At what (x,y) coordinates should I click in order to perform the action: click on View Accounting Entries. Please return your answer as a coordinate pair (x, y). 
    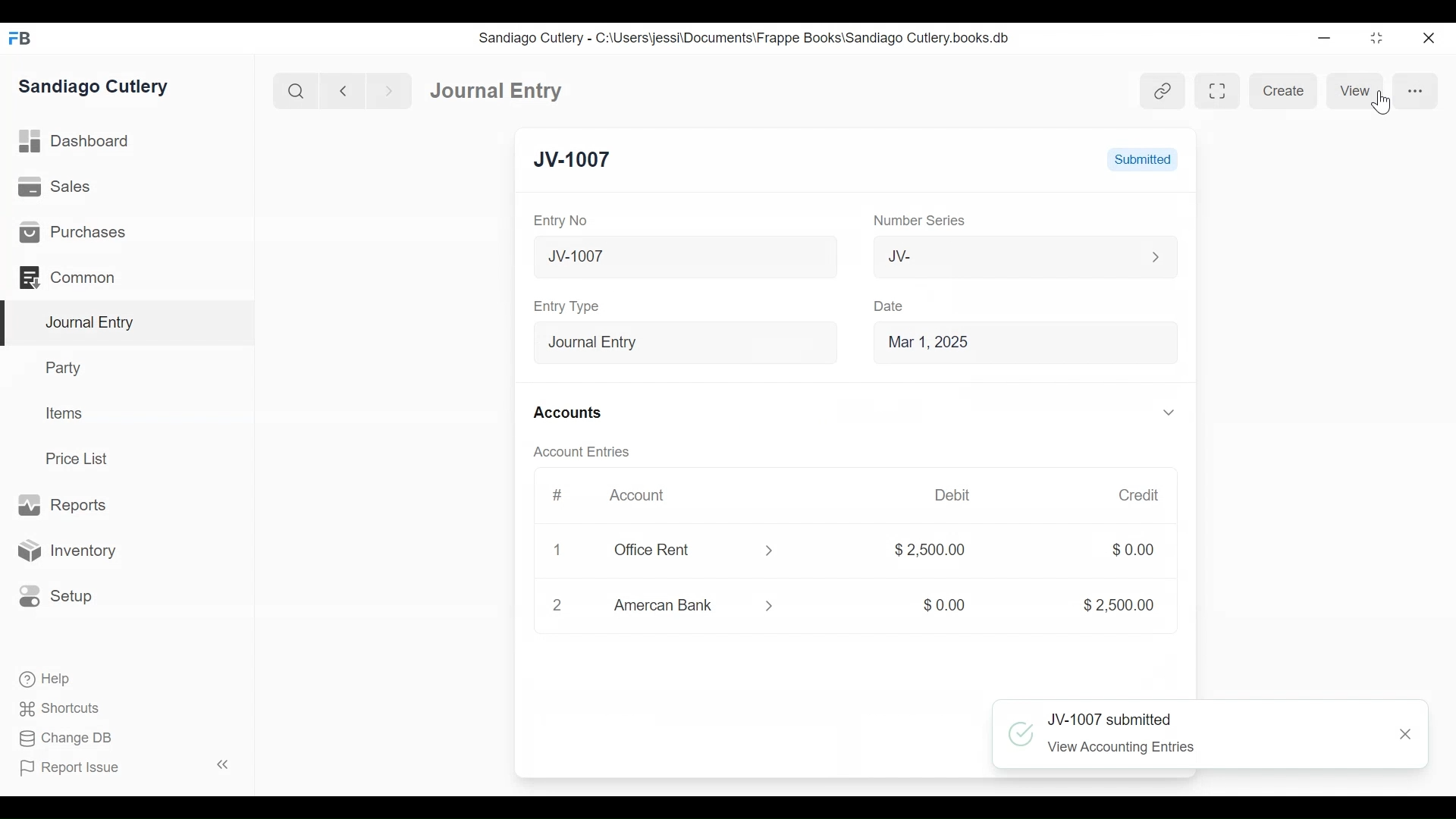
    Looking at the image, I should click on (1126, 749).